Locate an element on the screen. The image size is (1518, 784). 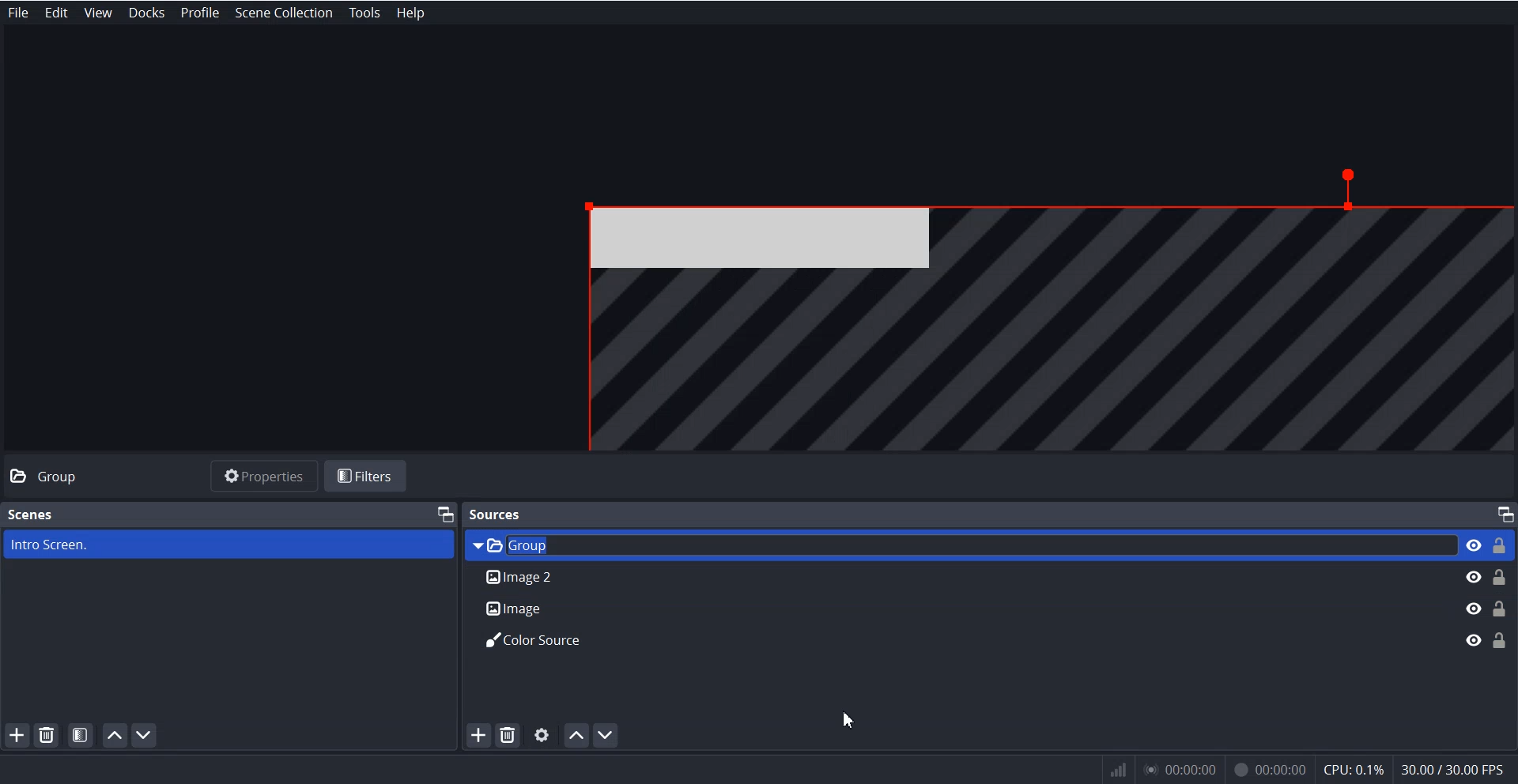
Group is located at coordinates (69, 477).